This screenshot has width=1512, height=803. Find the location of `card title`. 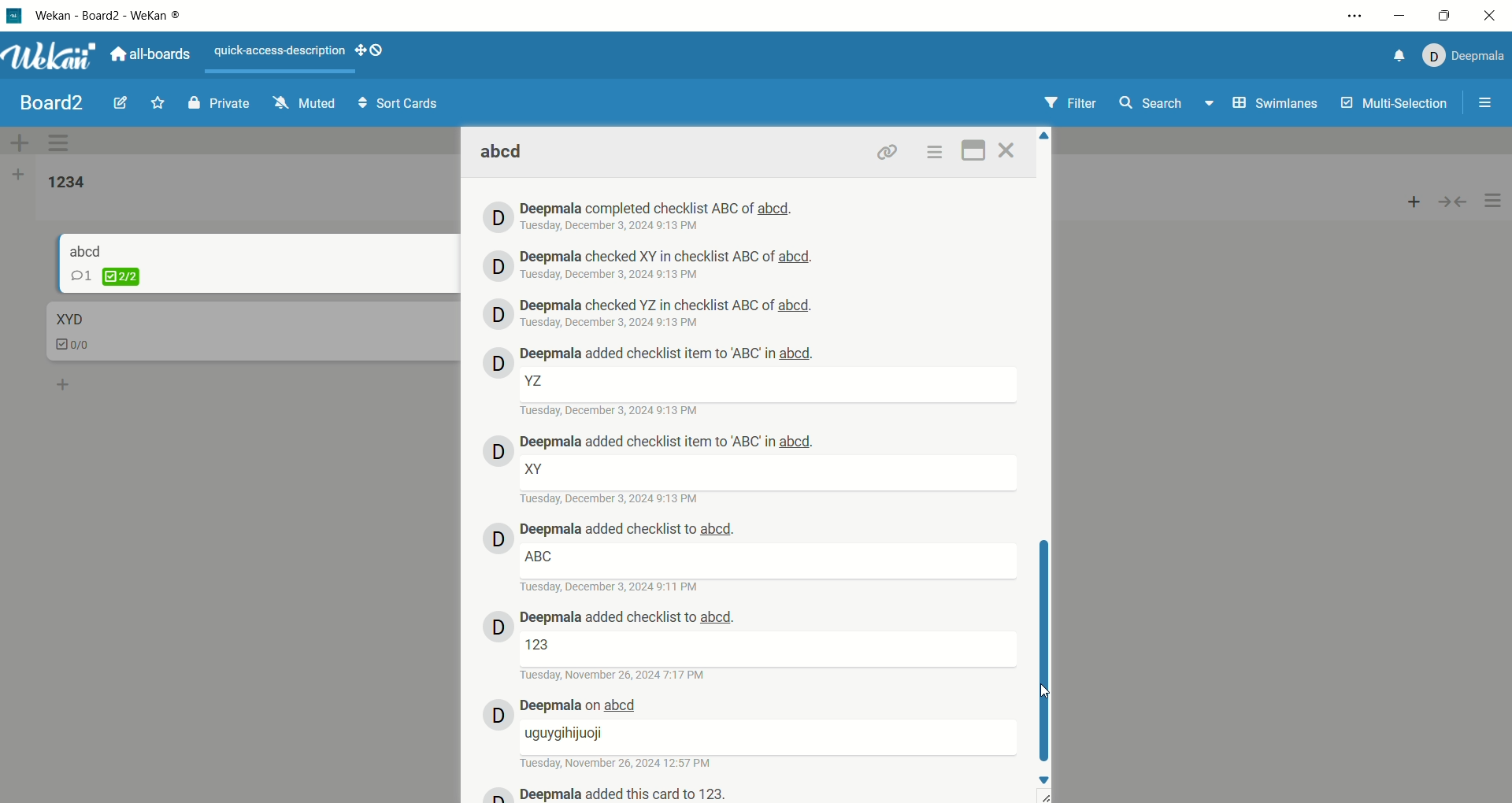

card title is located at coordinates (68, 320).